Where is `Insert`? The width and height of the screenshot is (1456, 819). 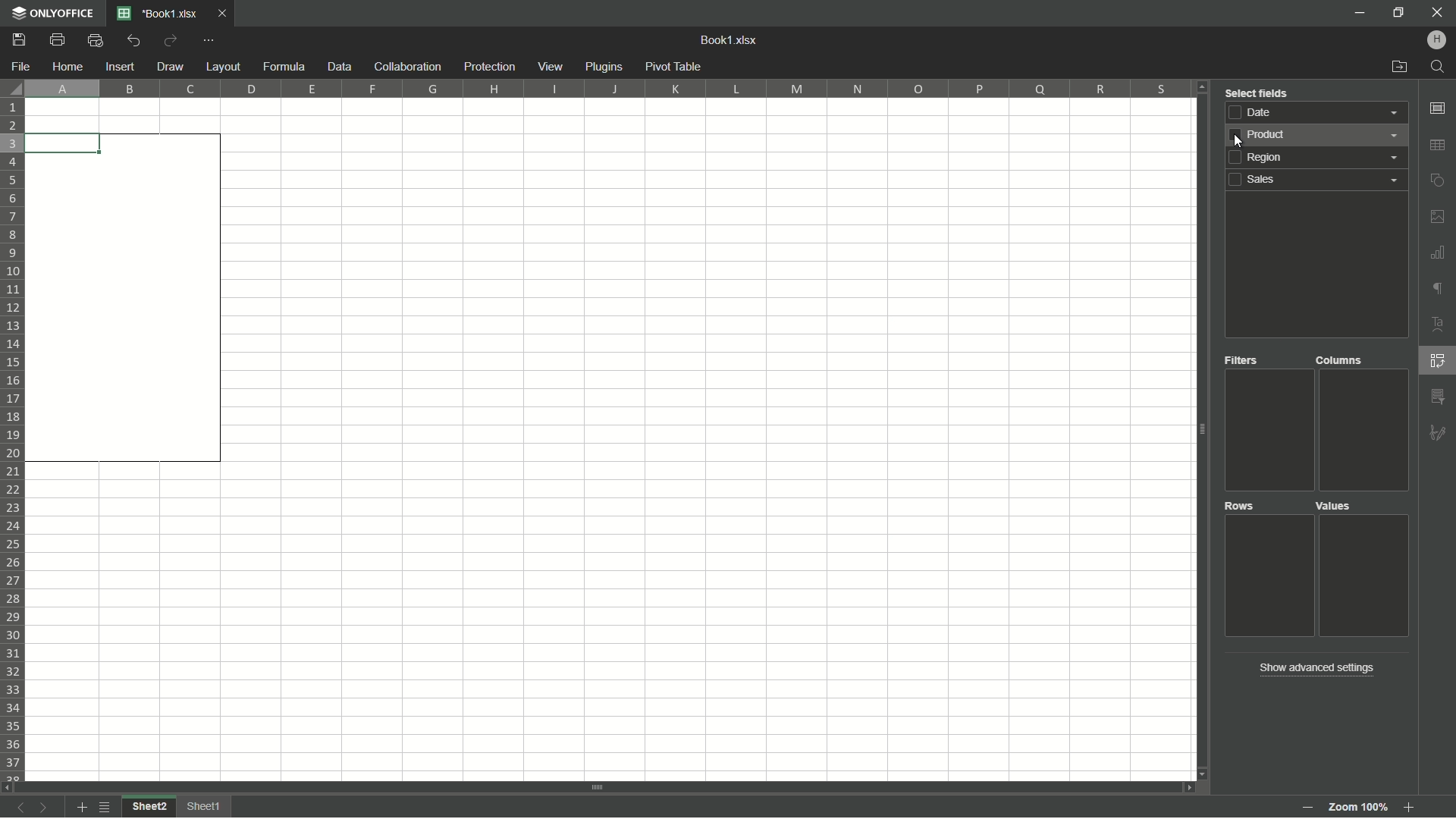
Insert is located at coordinates (120, 67).